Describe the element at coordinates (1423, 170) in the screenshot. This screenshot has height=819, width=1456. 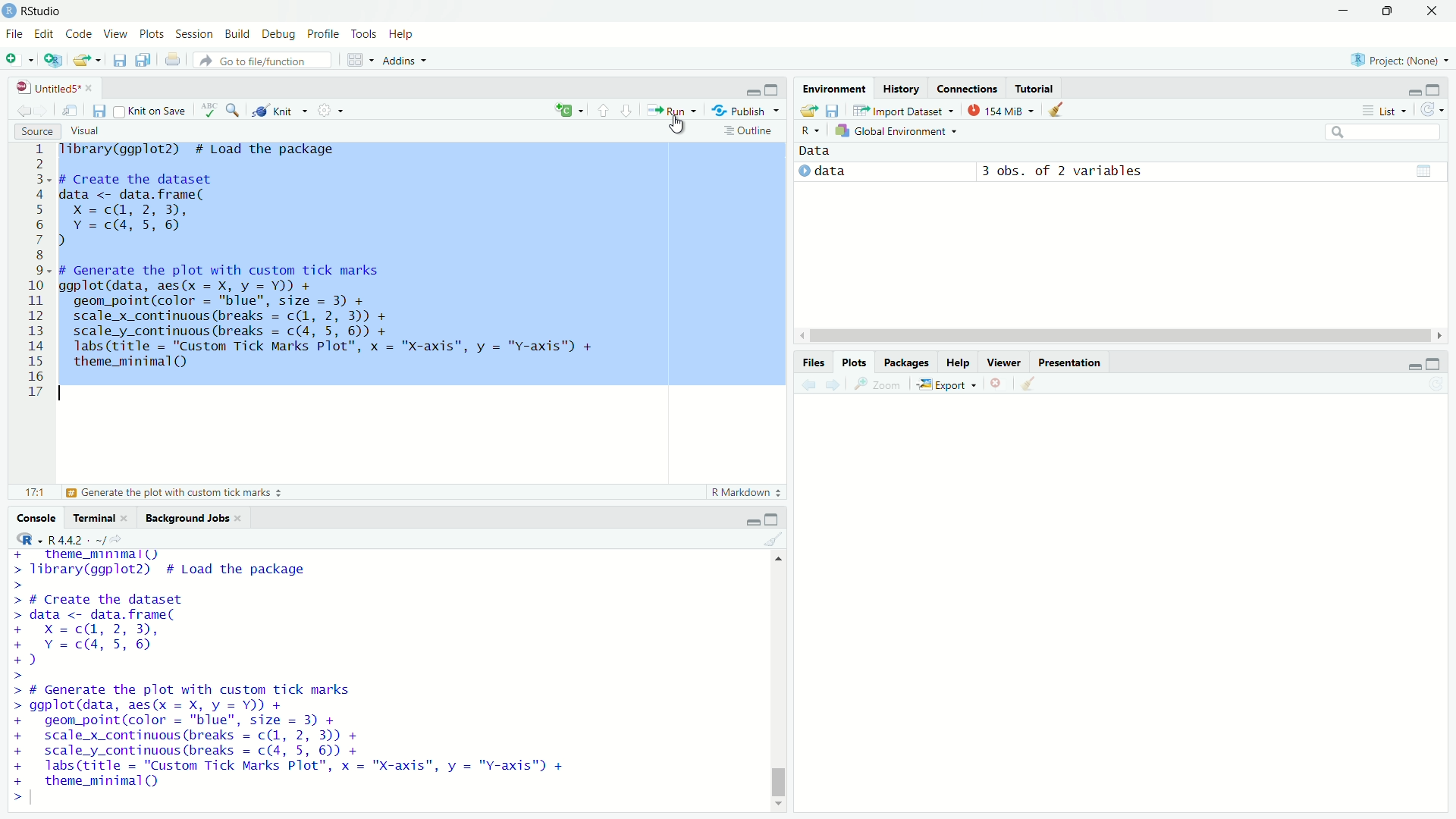
I see `table` at that location.